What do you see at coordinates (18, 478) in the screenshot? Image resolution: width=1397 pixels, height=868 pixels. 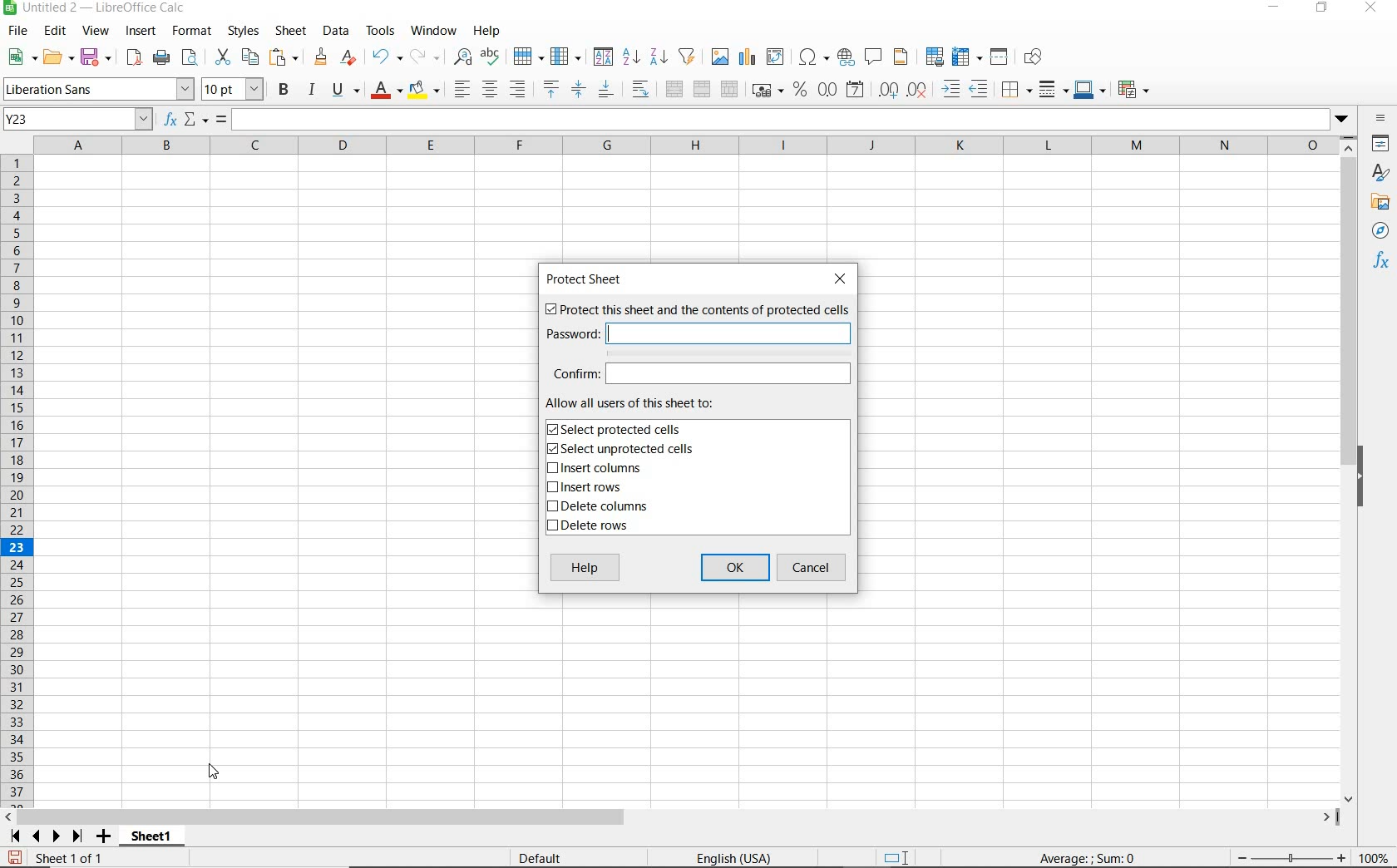 I see `ROWS` at bounding box center [18, 478].